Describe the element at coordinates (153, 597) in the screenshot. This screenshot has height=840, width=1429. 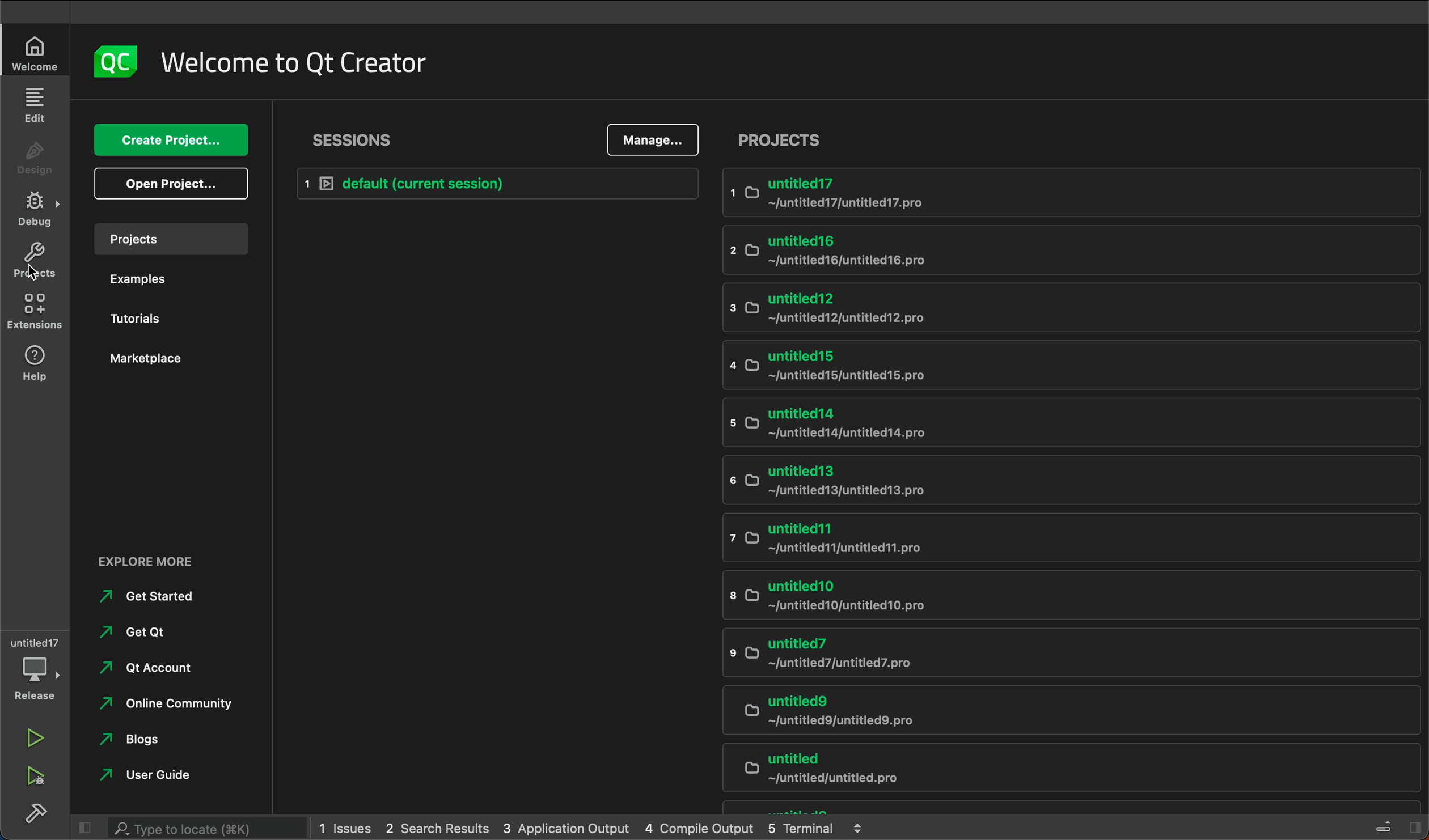
I see `get started` at that location.